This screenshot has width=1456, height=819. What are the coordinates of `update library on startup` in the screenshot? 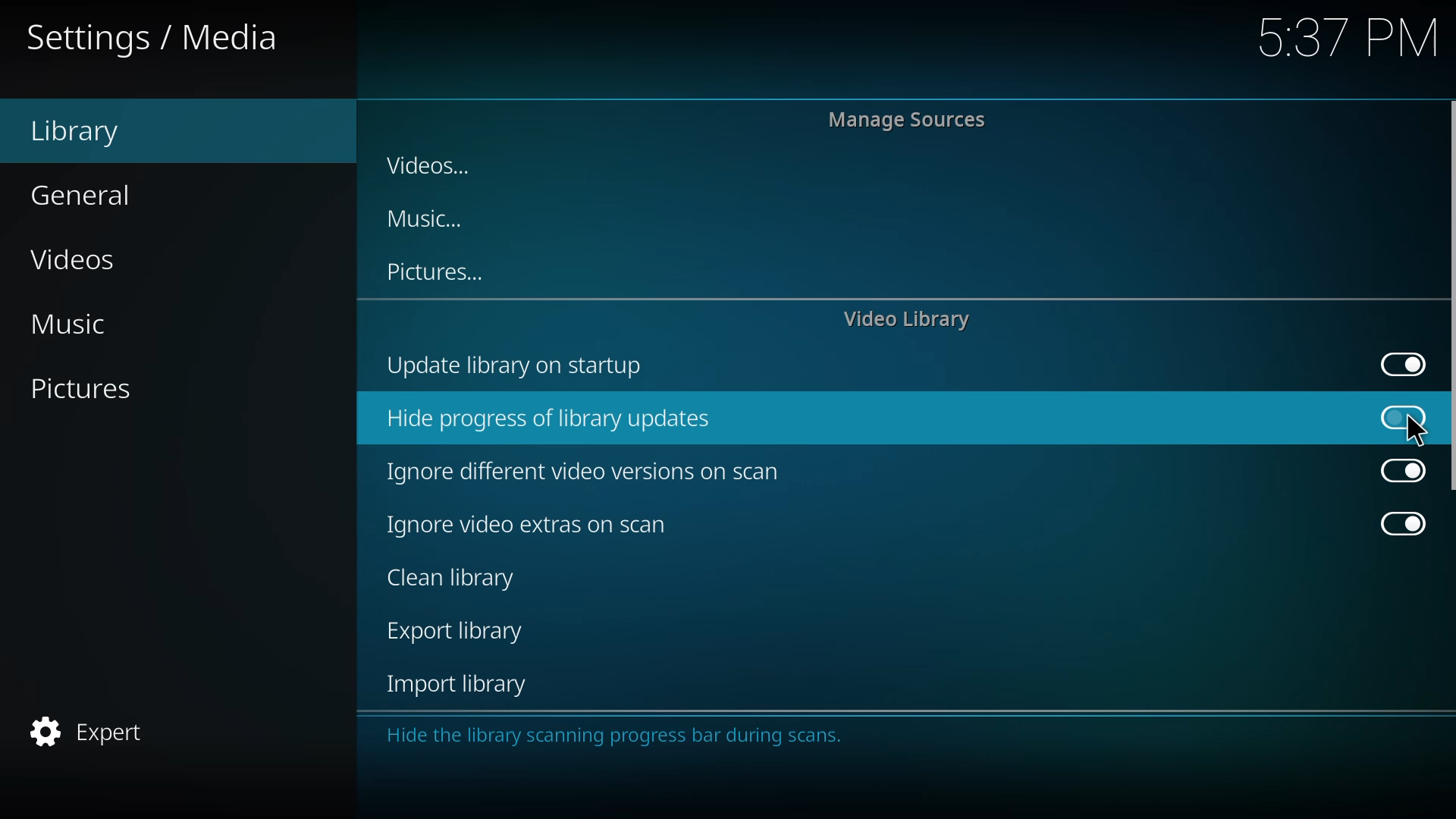 It's located at (519, 366).